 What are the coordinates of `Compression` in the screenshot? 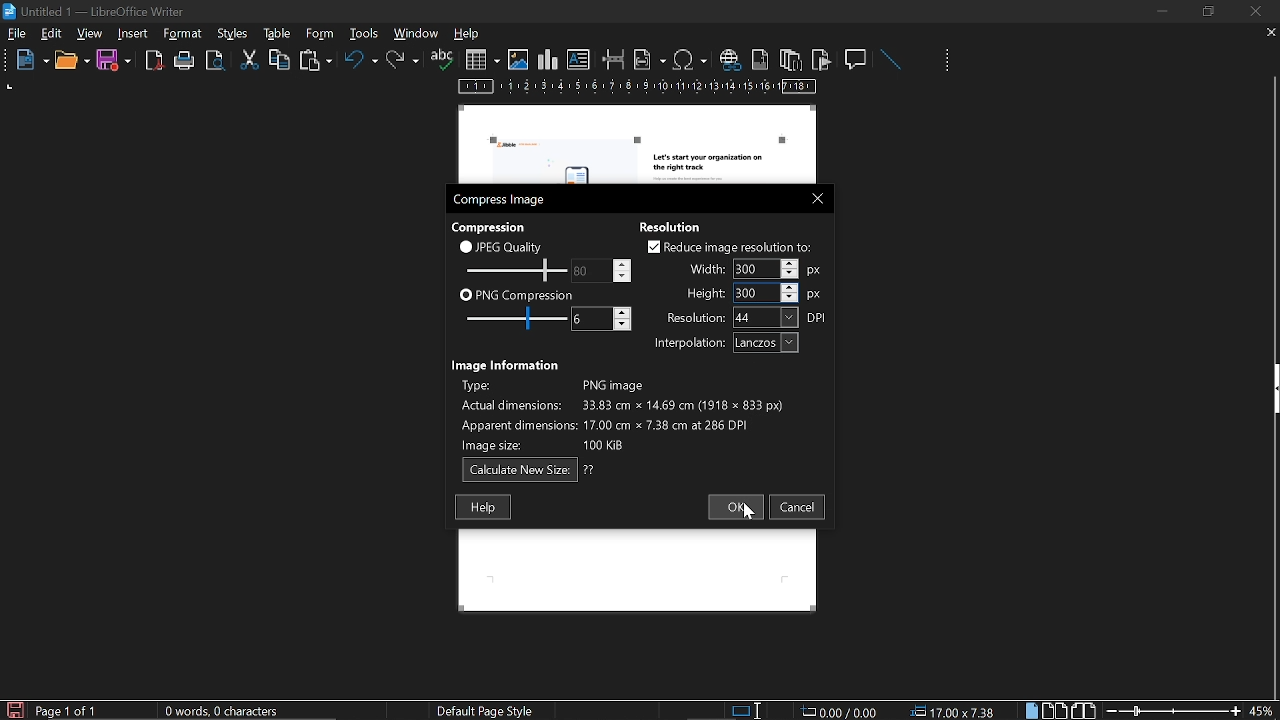 It's located at (491, 226).